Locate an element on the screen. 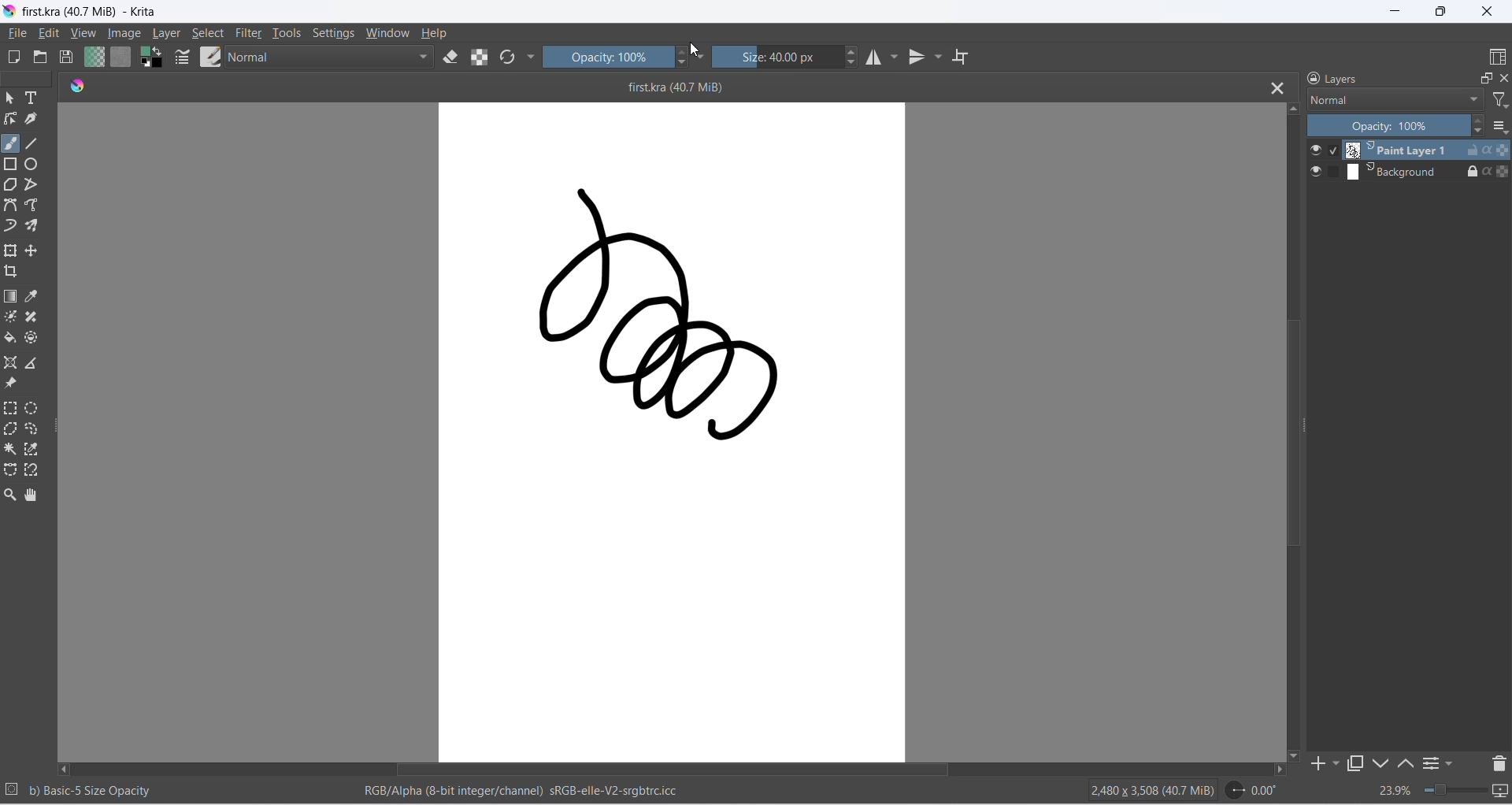 The image size is (1512, 805). Preserve alpha is located at coordinates (1503, 150).